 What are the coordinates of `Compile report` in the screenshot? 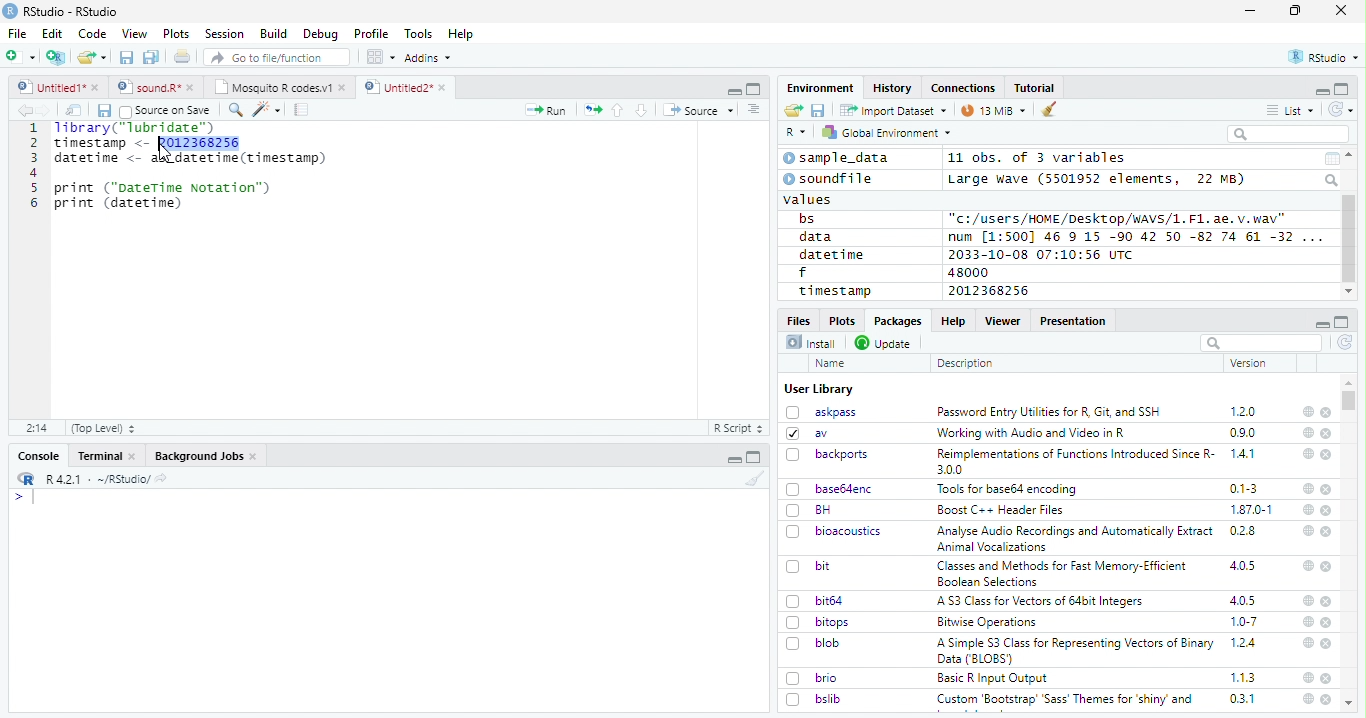 It's located at (302, 110).